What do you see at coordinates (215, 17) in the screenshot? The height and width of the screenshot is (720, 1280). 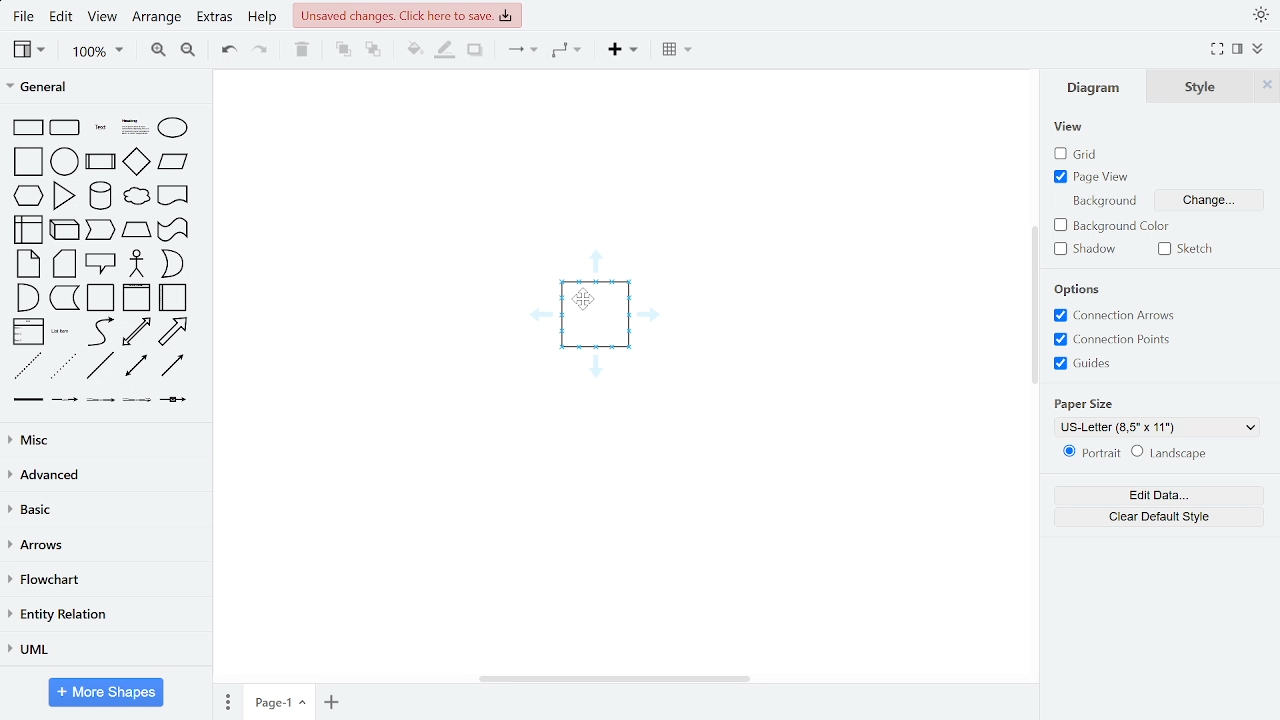 I see `extras` at bounding box center [215, 17].